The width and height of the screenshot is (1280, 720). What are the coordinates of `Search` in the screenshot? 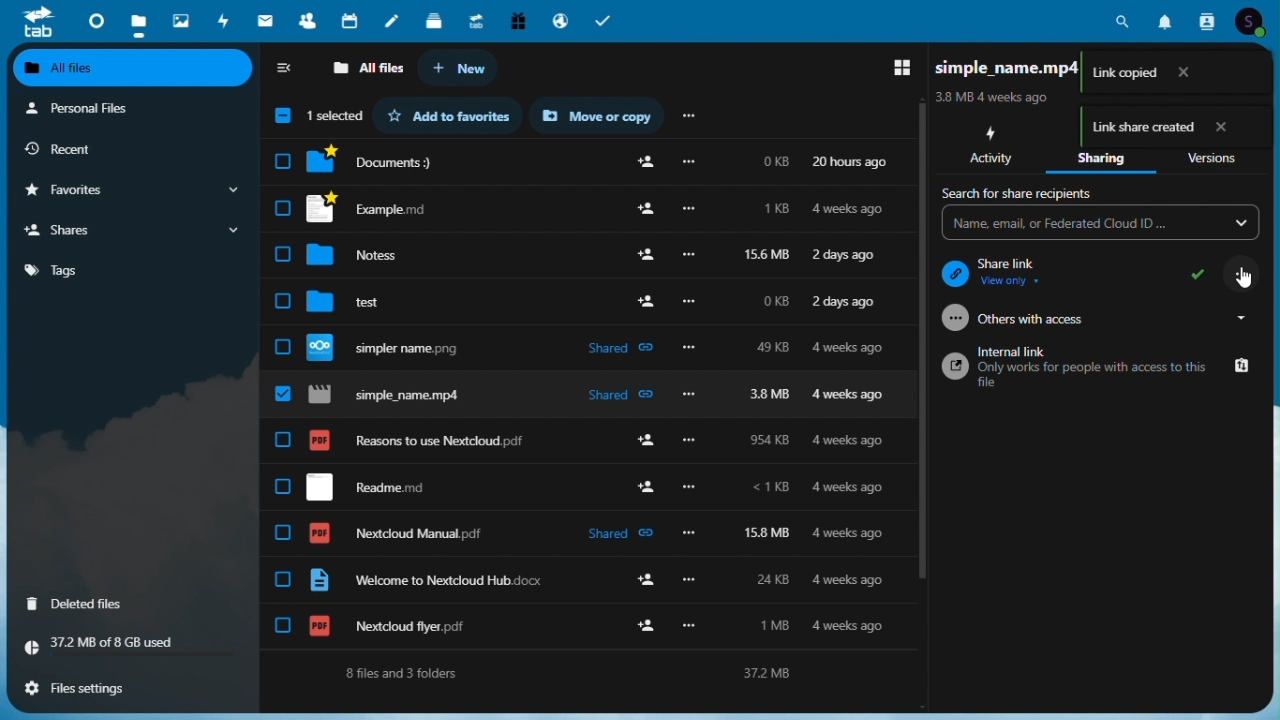 It's located at (1126, 19).